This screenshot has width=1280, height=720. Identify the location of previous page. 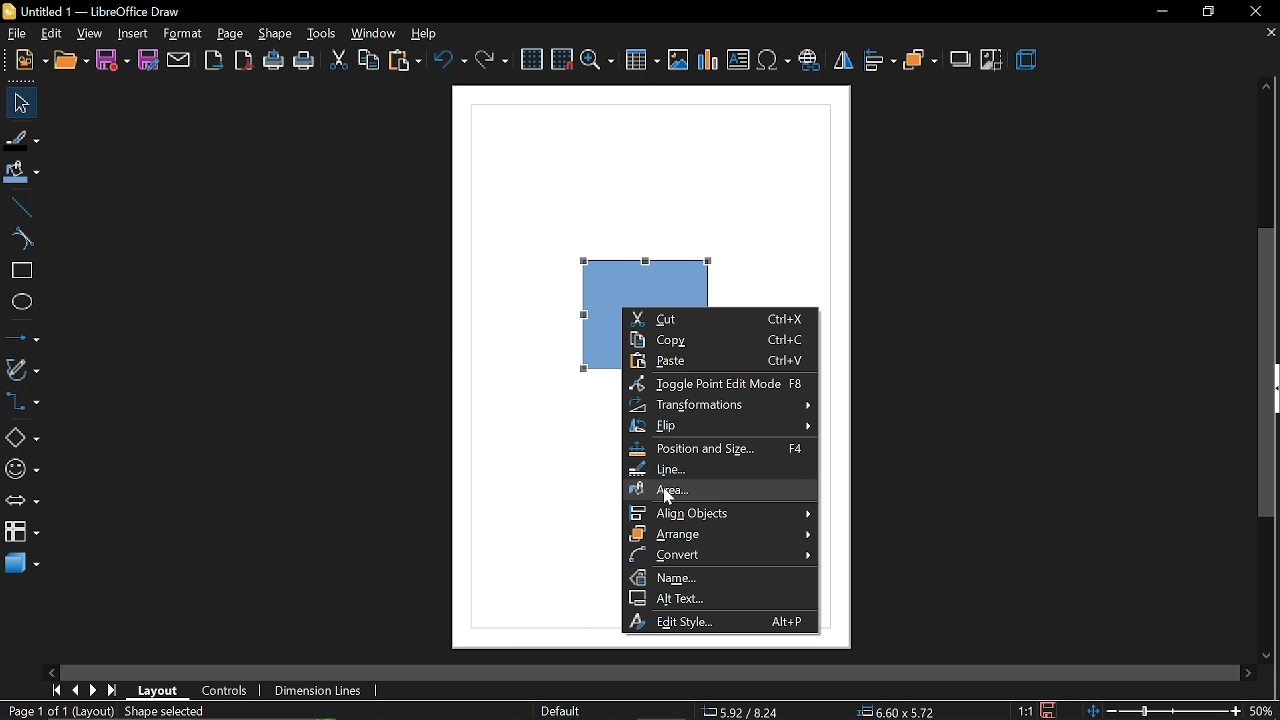
(75, 689).